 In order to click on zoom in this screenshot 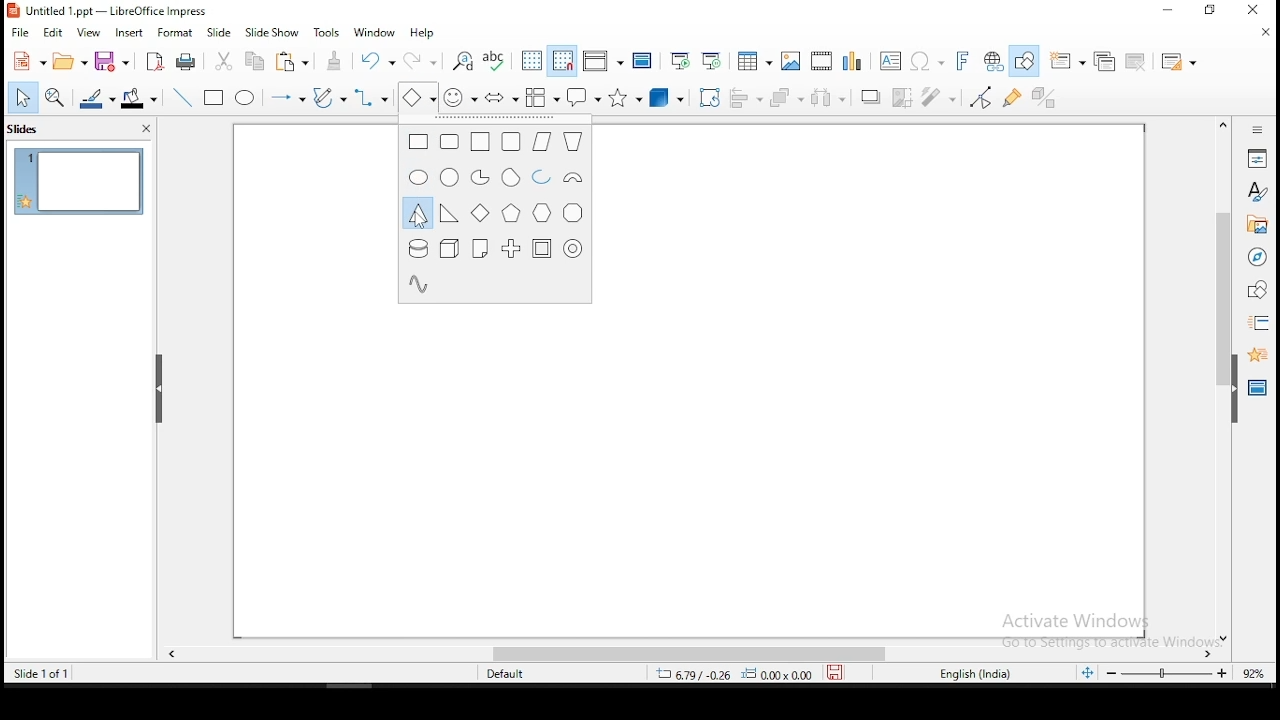, I will do `click(1187, 676)`.